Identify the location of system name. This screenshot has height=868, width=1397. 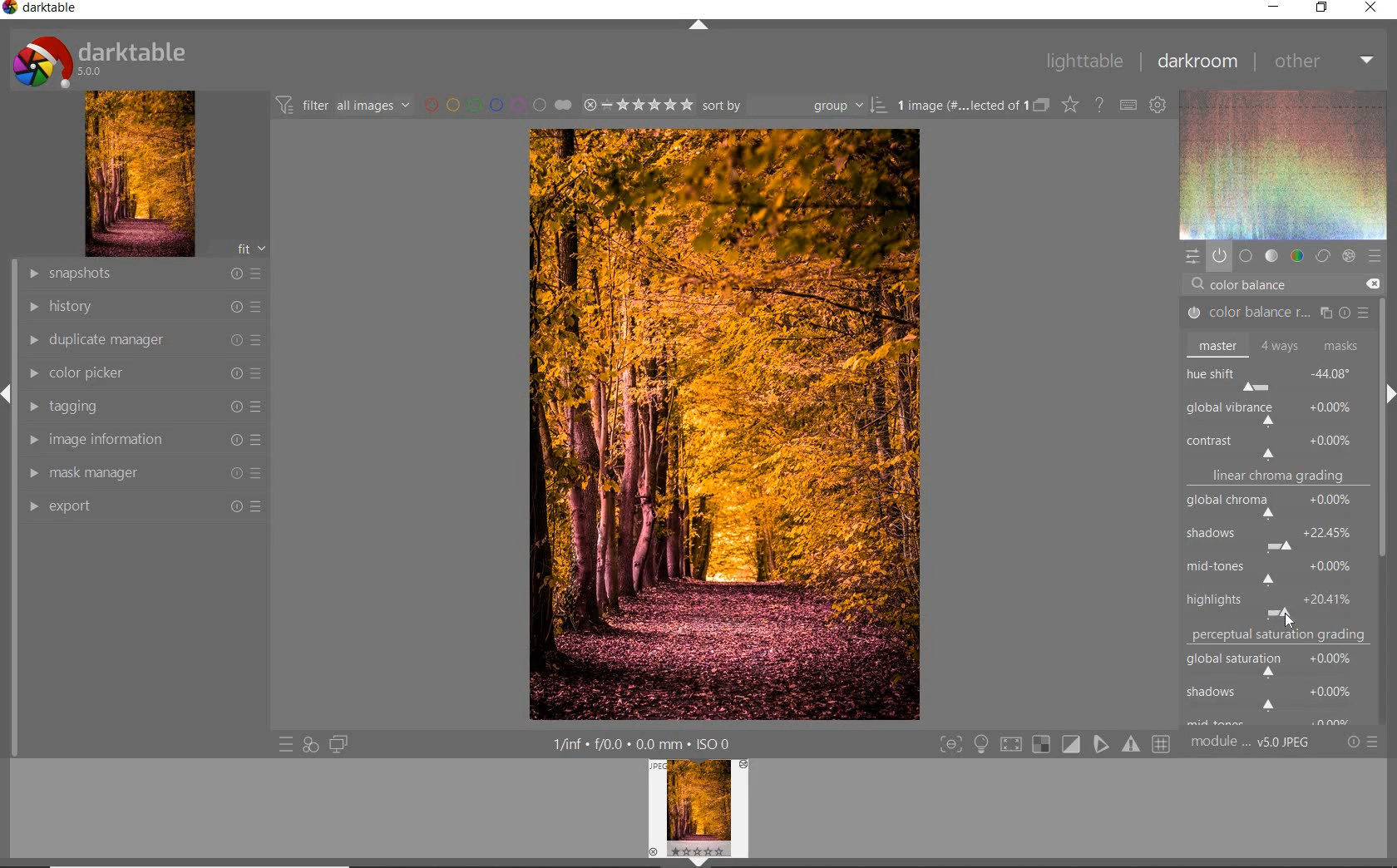
(40, 8).